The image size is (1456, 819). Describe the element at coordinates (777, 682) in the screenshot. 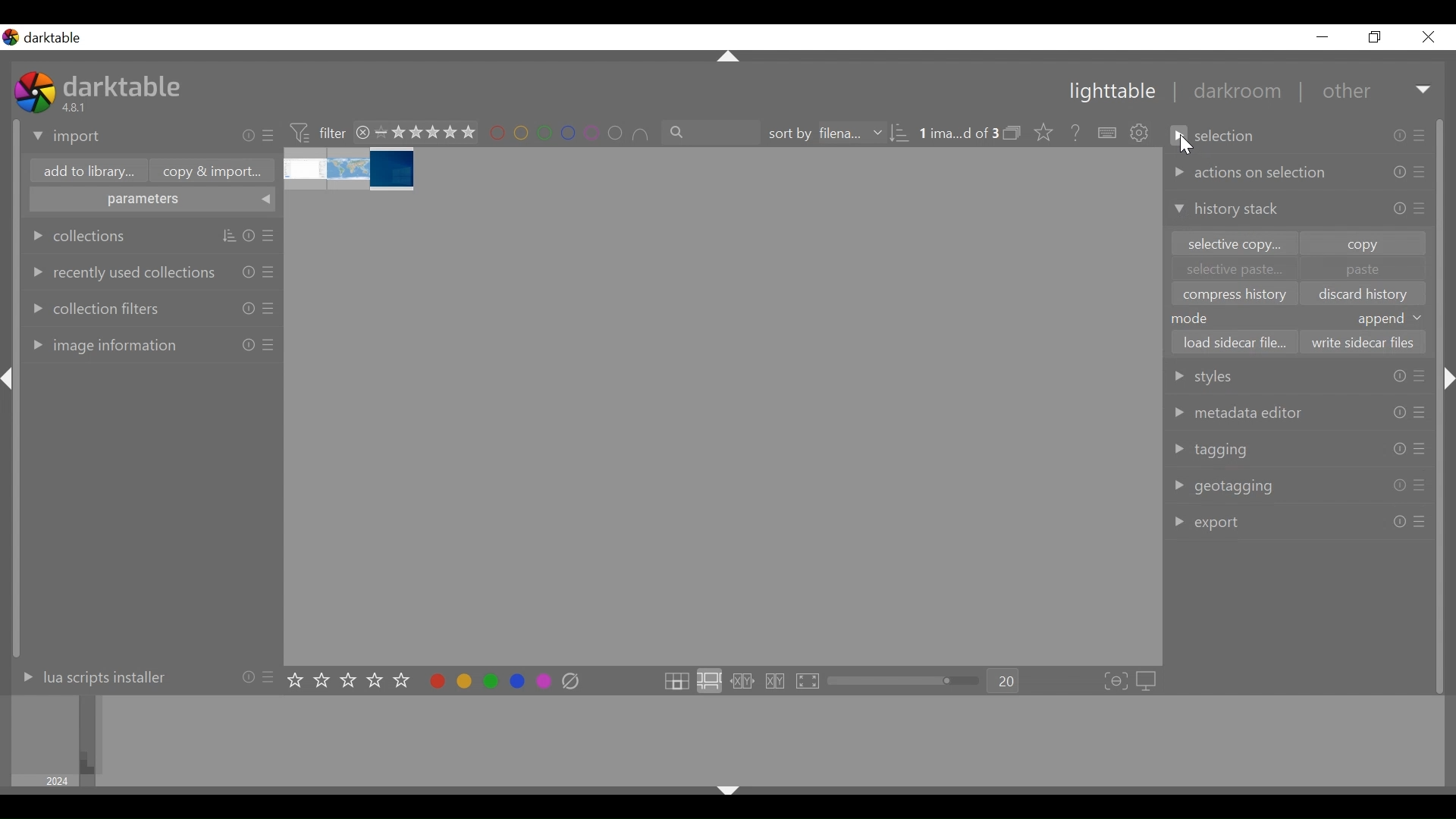

I see `click to enter culling layout dynamic mode` at that location.